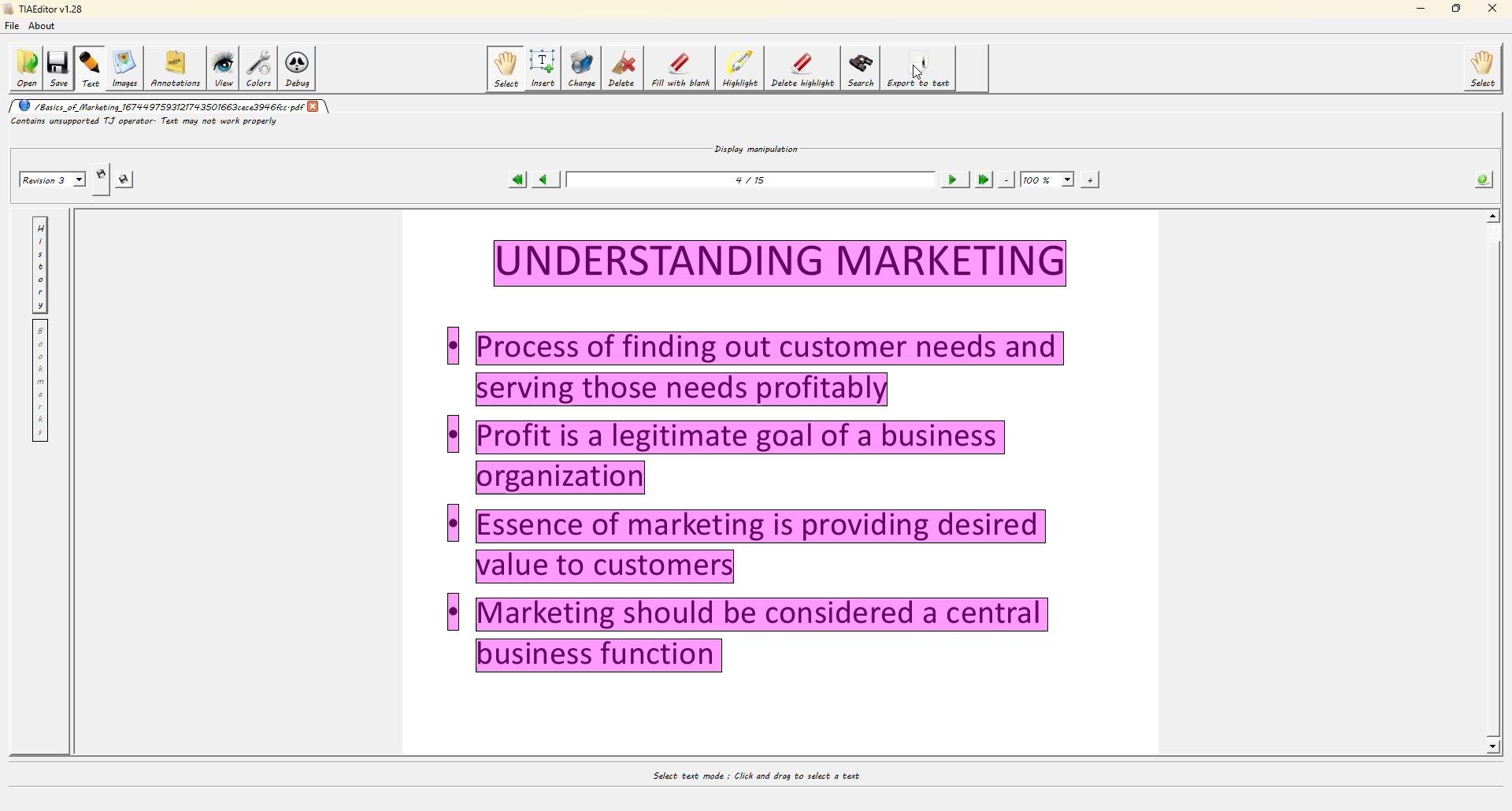 The height and width of the screenshot is (811, 1512). I want to click on last page, so click(981, 180).